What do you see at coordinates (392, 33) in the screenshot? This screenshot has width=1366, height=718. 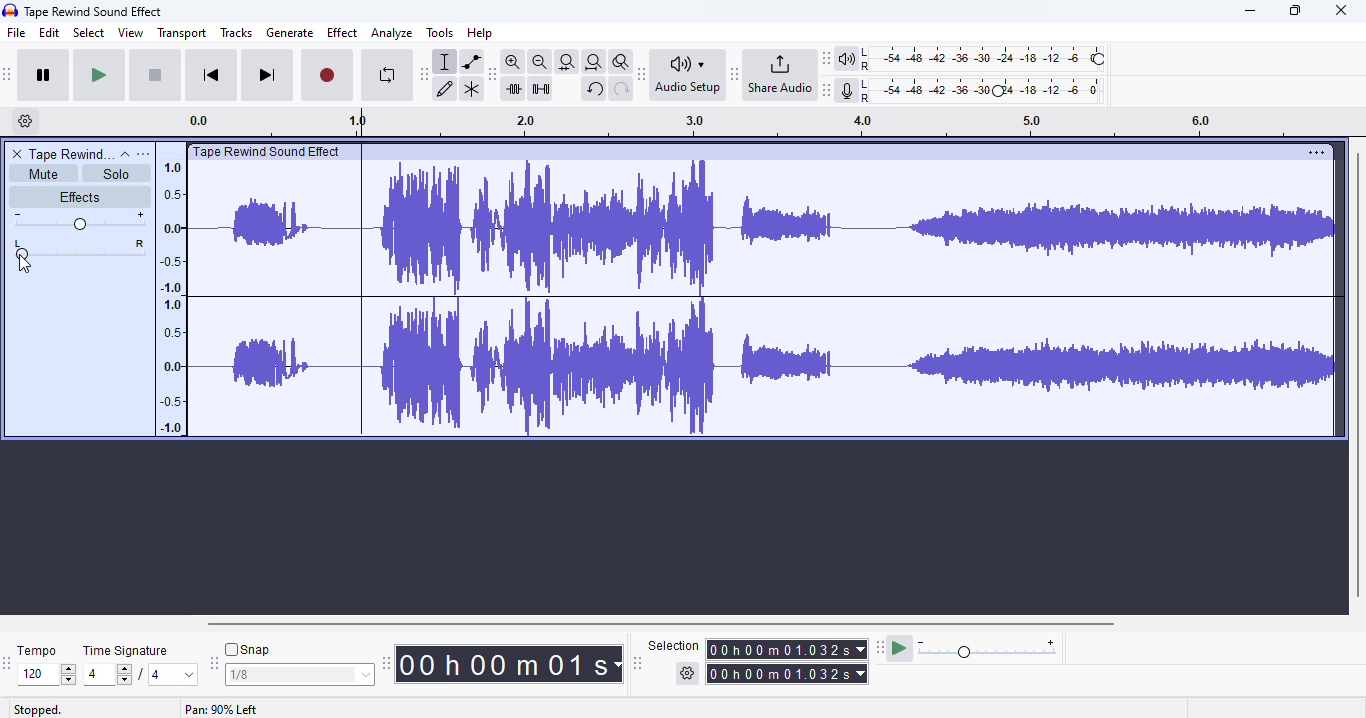 I see `analyze` at bounding box center [392, 33].